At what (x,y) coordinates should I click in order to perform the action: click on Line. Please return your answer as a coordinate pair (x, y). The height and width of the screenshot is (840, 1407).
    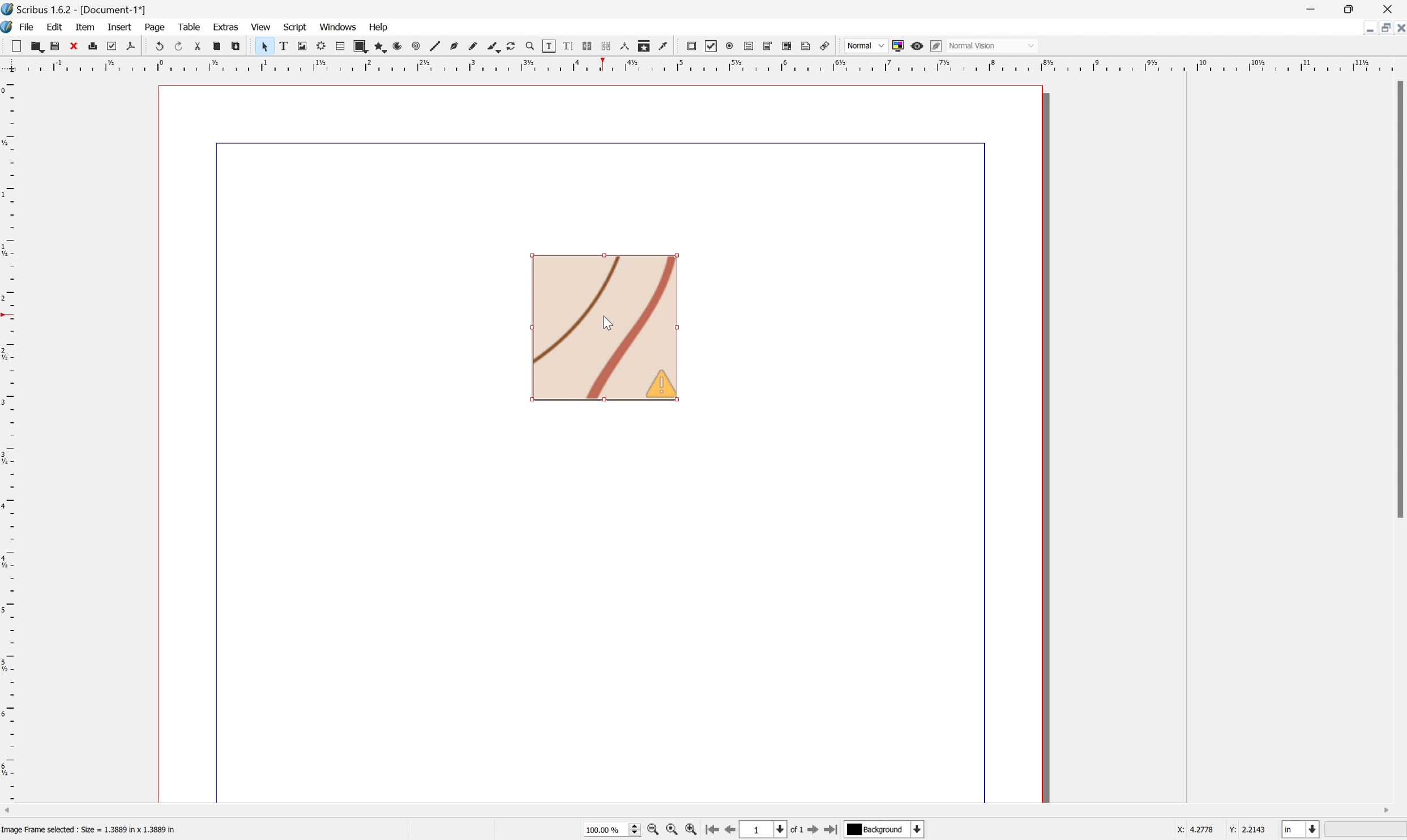
    Looking at the image, I should click on (438, 44).